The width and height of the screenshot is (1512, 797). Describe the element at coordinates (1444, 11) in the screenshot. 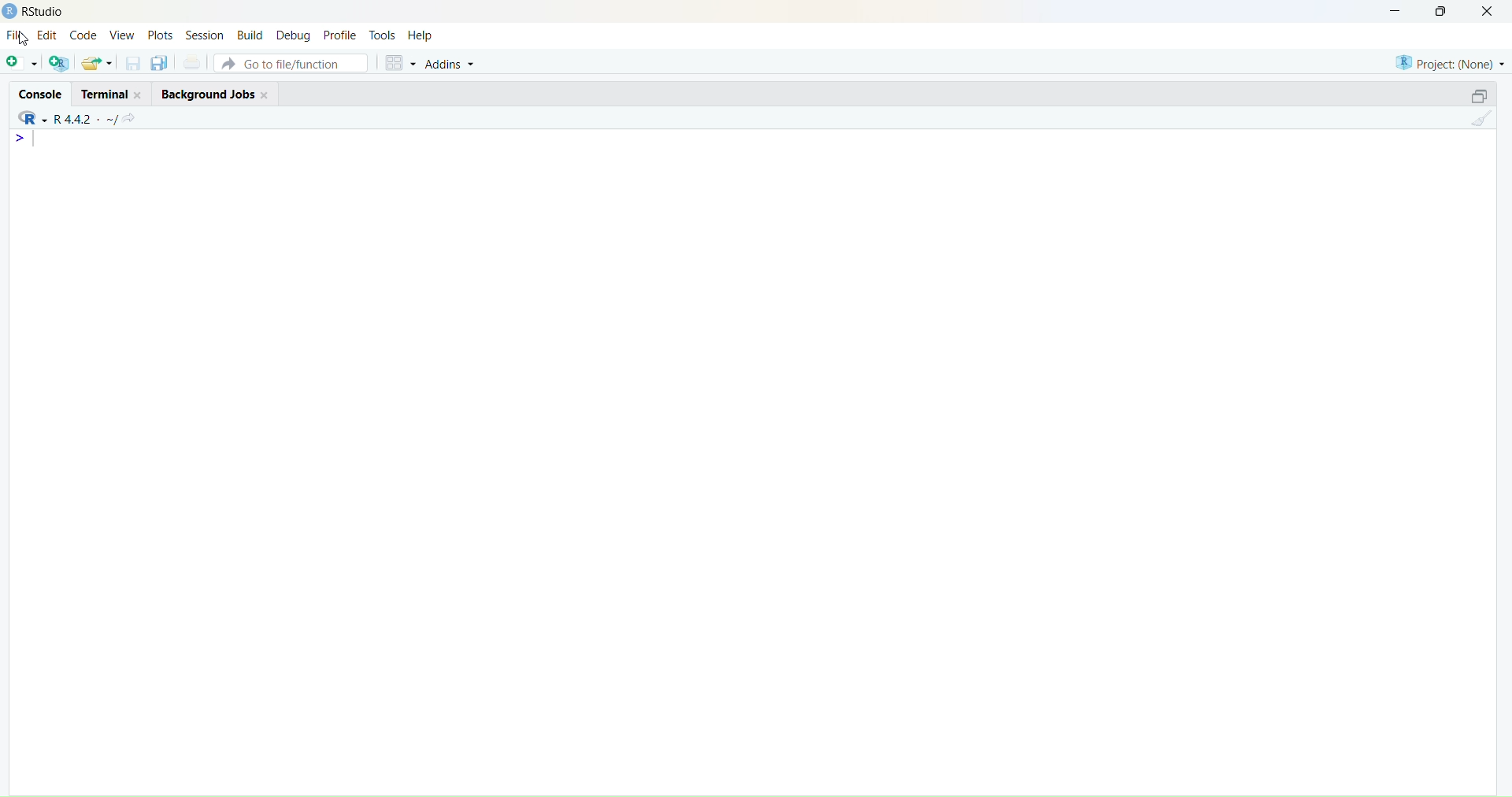

I see `Maximize` at that location.